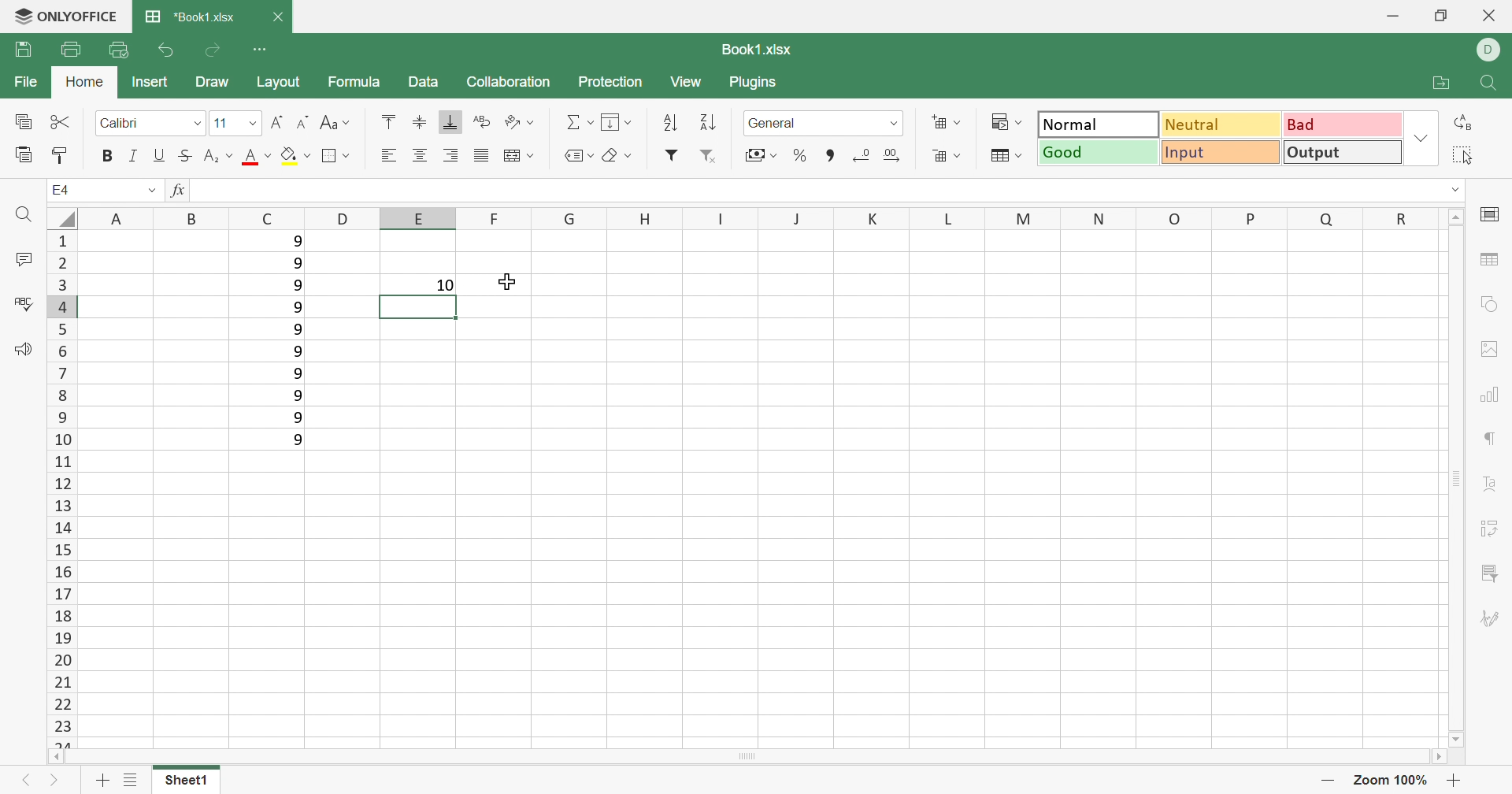  Describe the element at coordinates (801, 155) in the screenshot. I see `Percent style` at that location.